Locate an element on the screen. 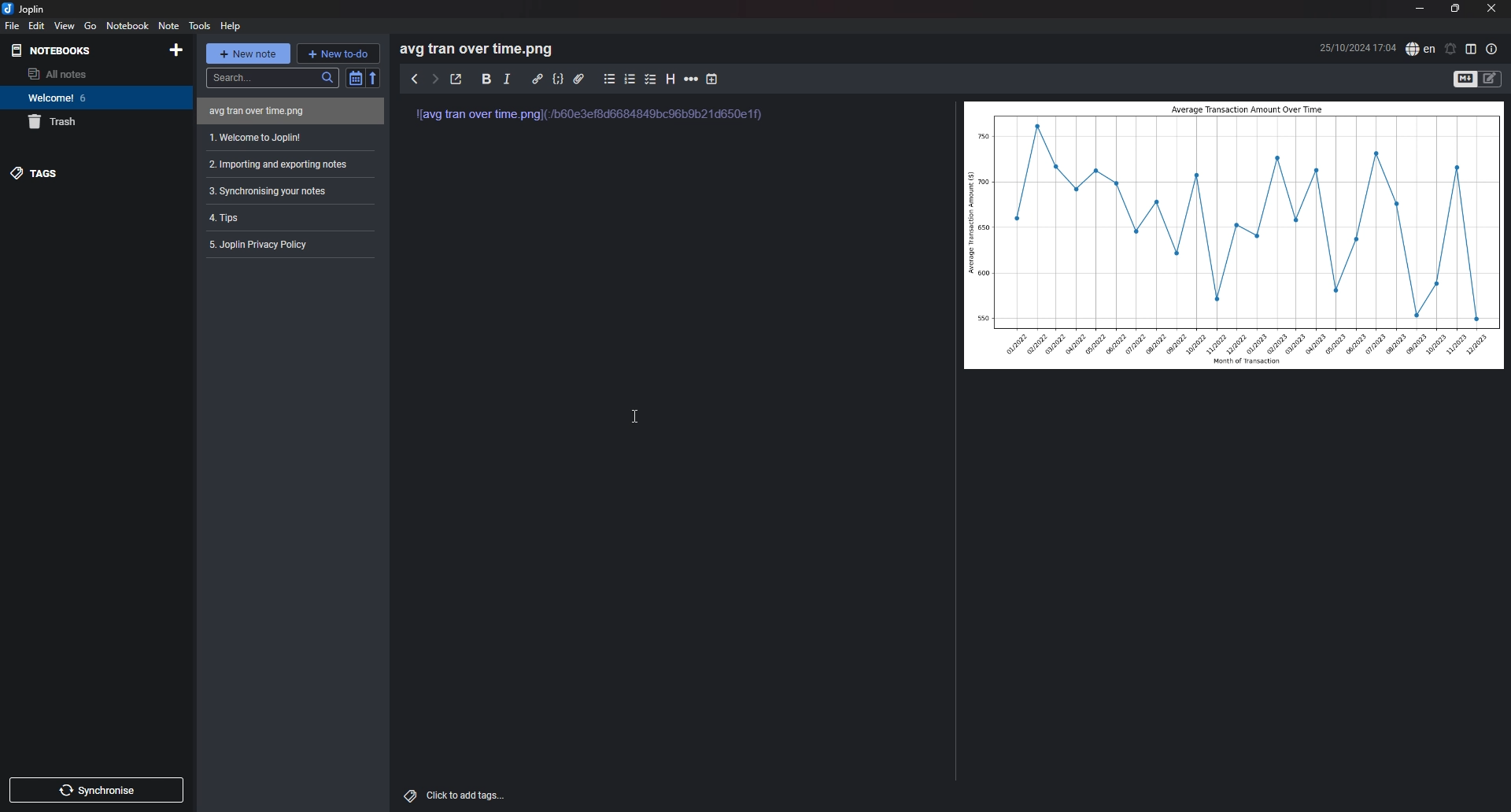 This screenshot has width=1511, height=812. bold is located at coordinates (487, 79).